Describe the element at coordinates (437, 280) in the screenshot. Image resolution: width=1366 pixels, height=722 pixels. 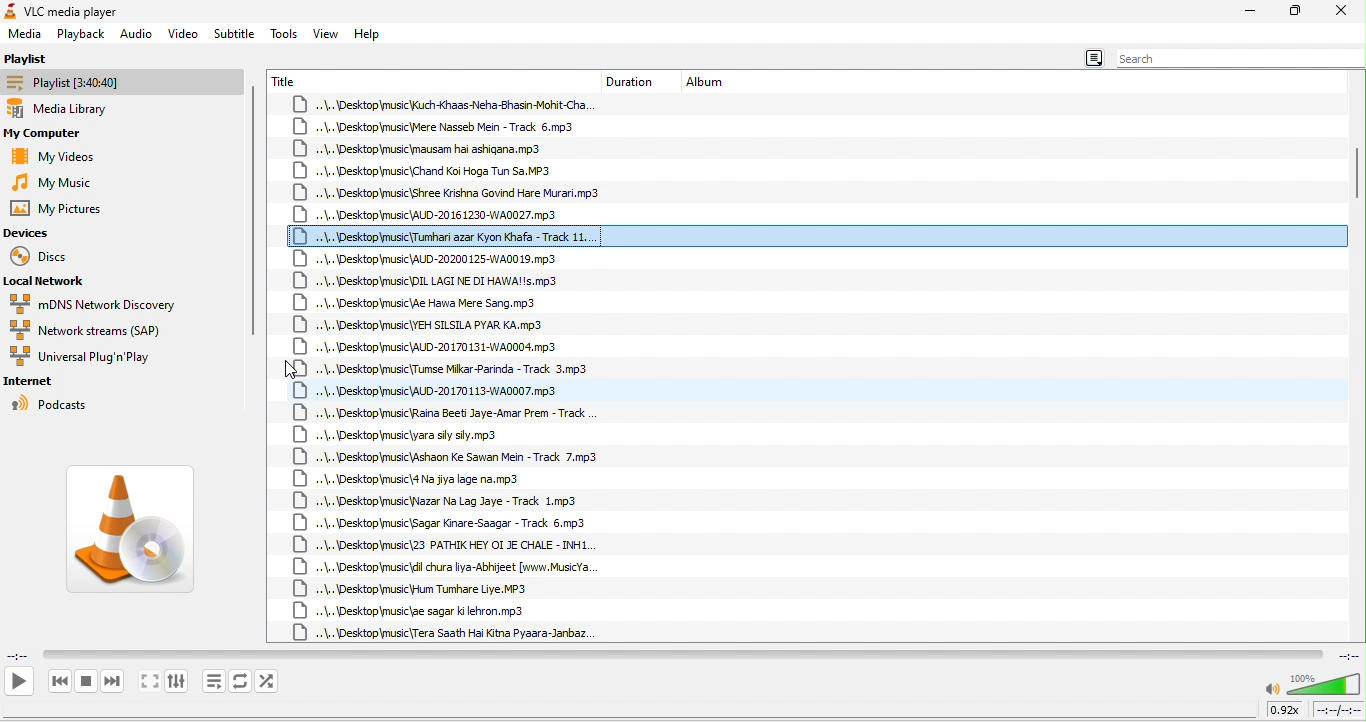
I see `..\.. \Desktop\music\DIL LAGI NE DI HAWA!!s.mp3` at that location.